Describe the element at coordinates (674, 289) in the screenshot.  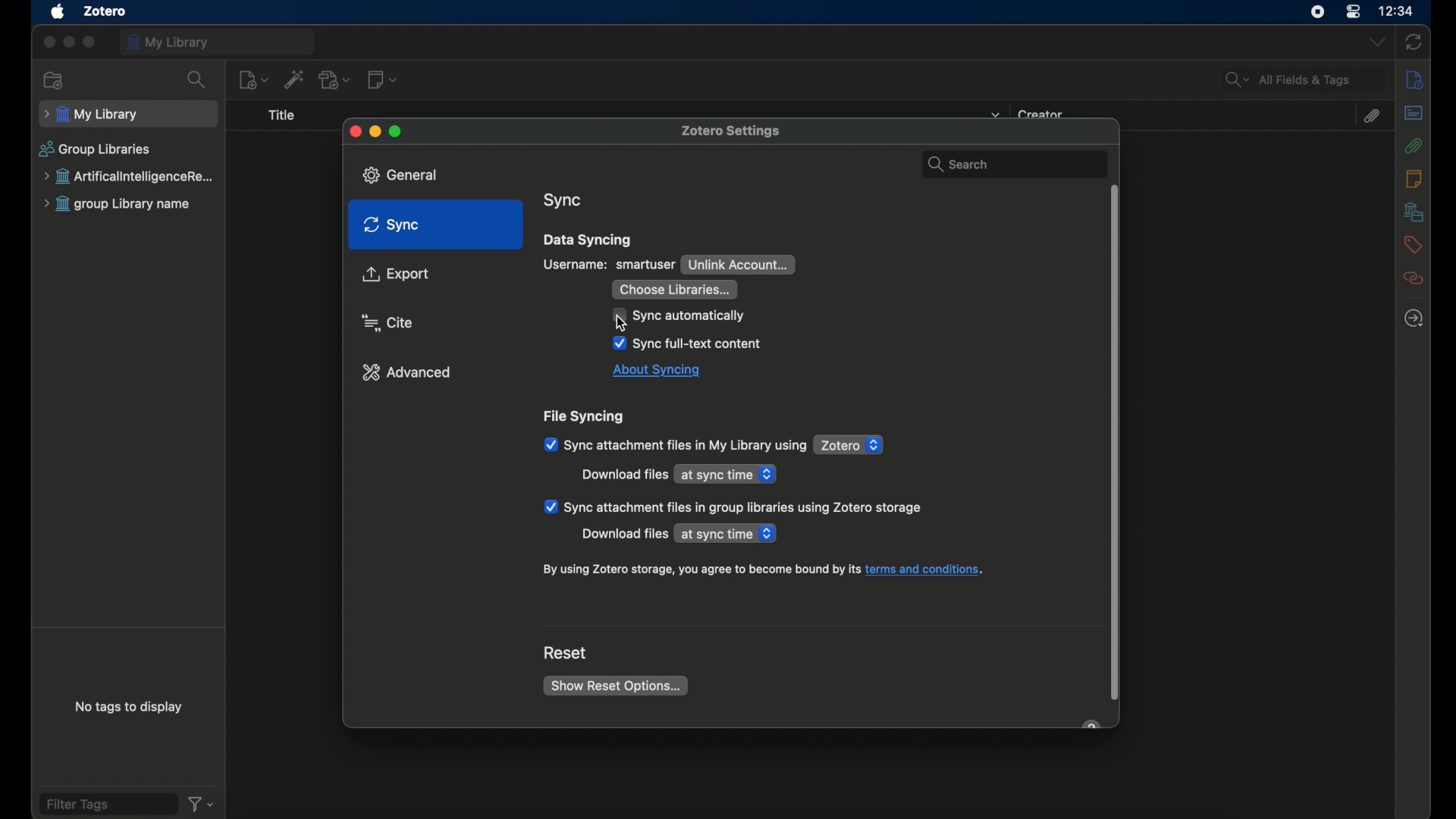
I see `choose libraries` at that location.